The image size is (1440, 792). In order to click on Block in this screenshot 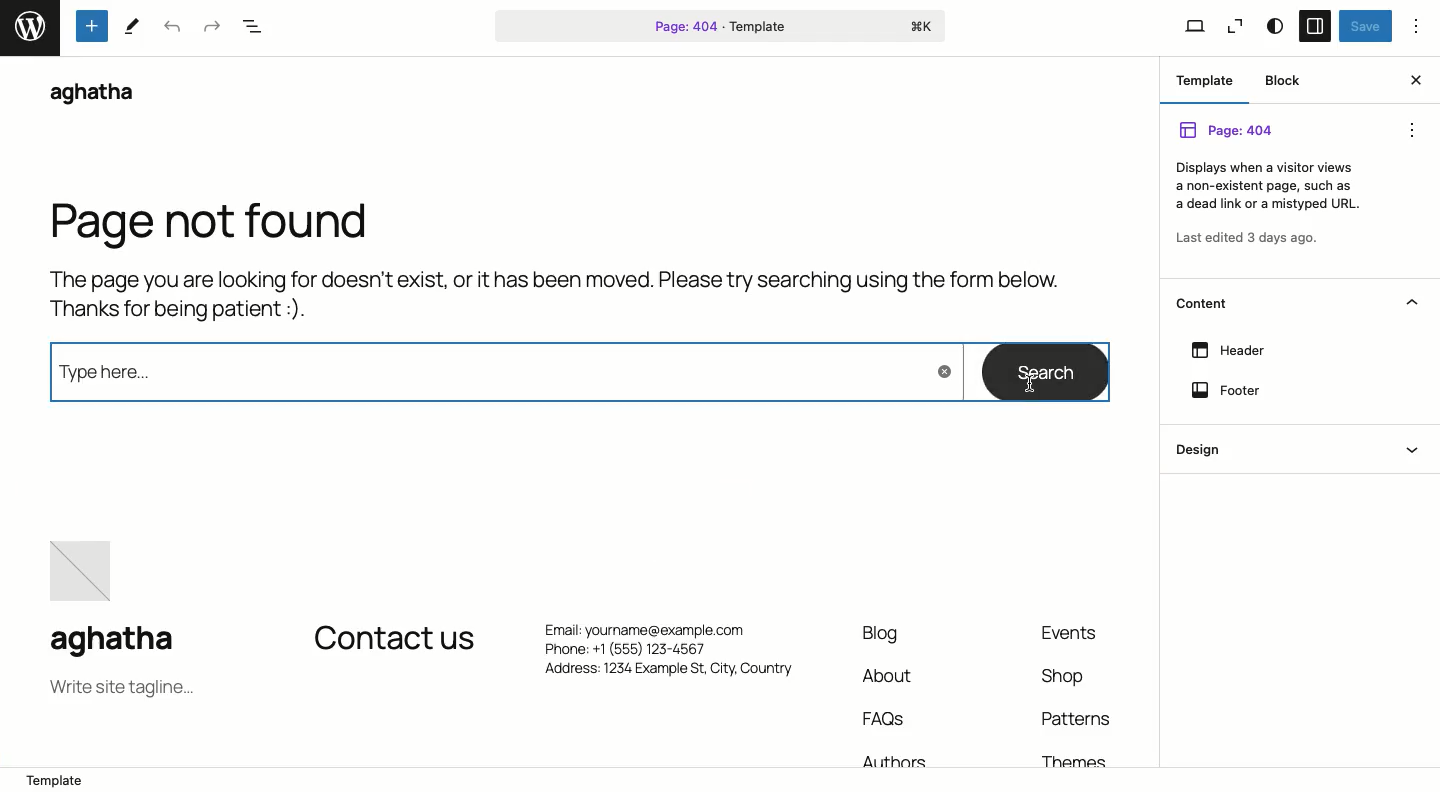, I will do `click(1277, 80)`.